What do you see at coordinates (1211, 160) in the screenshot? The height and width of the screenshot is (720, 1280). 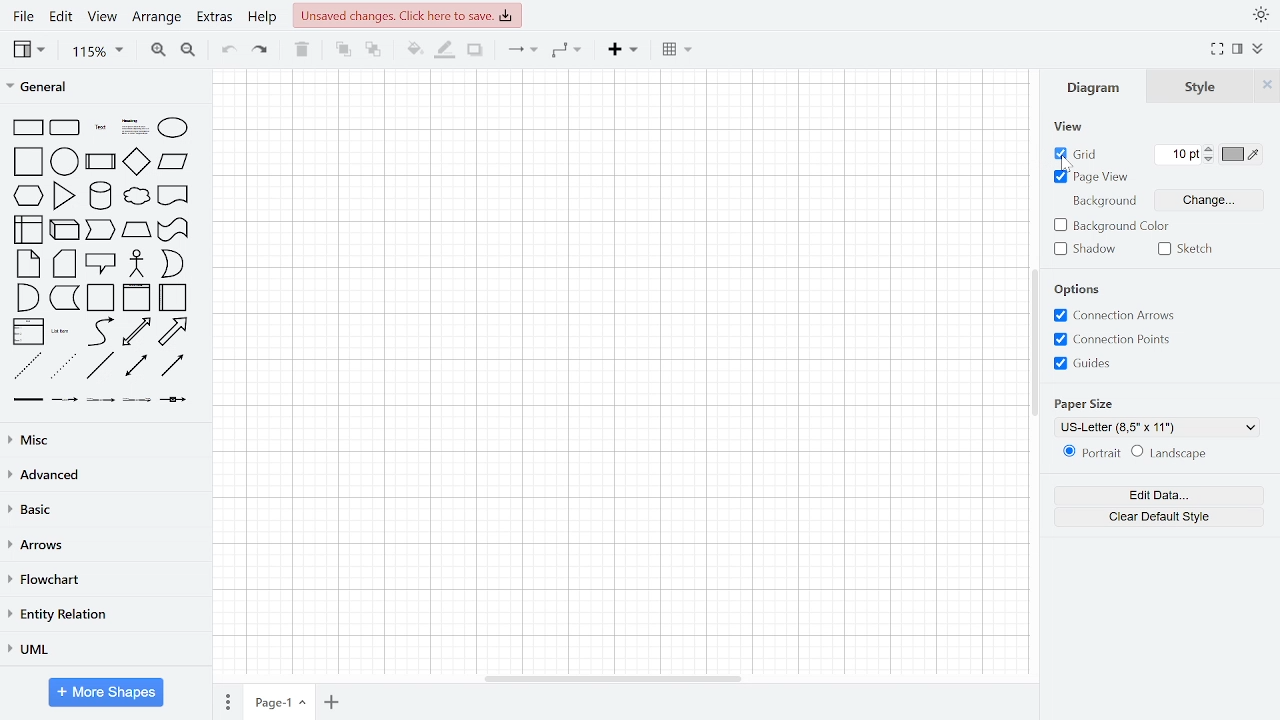 I see `decrease grid pt` at bounding box center [1211, 160].